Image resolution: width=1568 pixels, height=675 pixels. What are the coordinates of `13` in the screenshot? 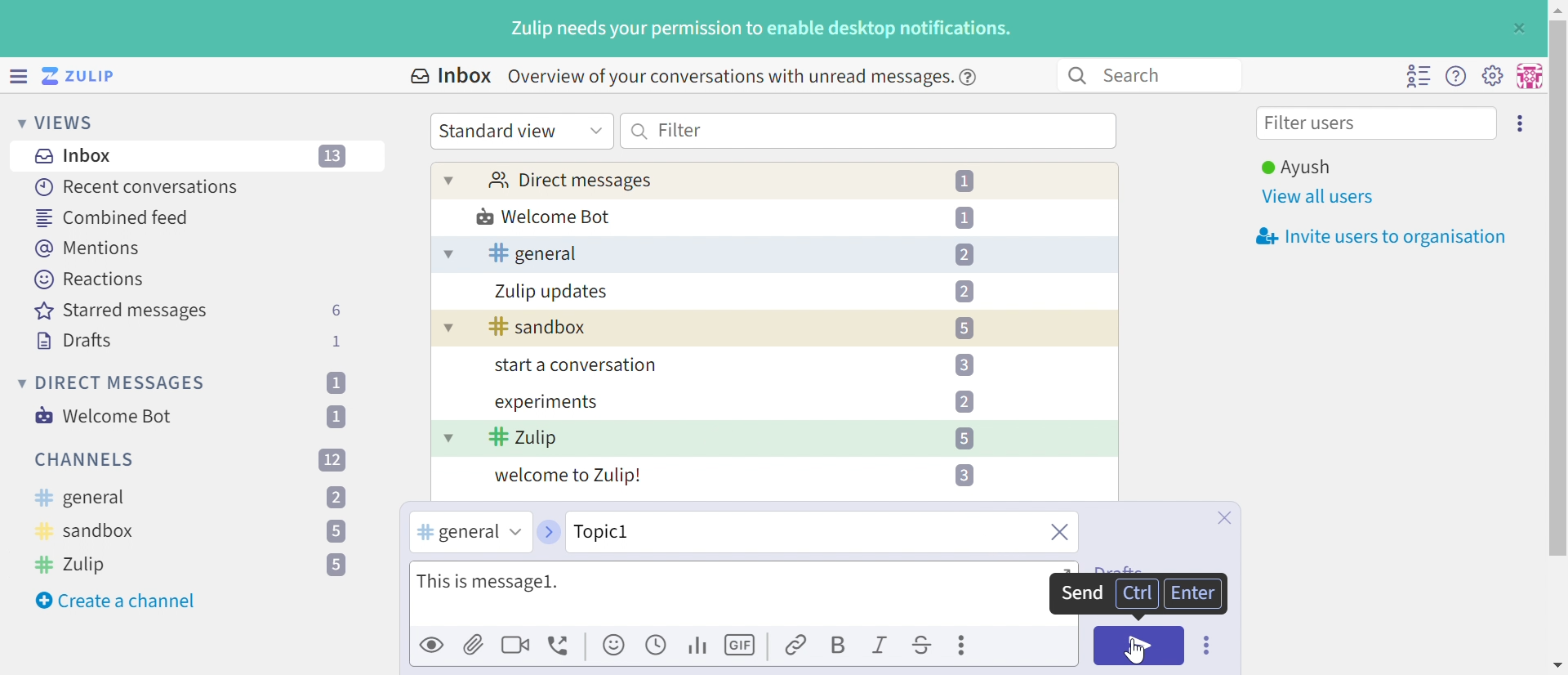 It's located at (334, 157).